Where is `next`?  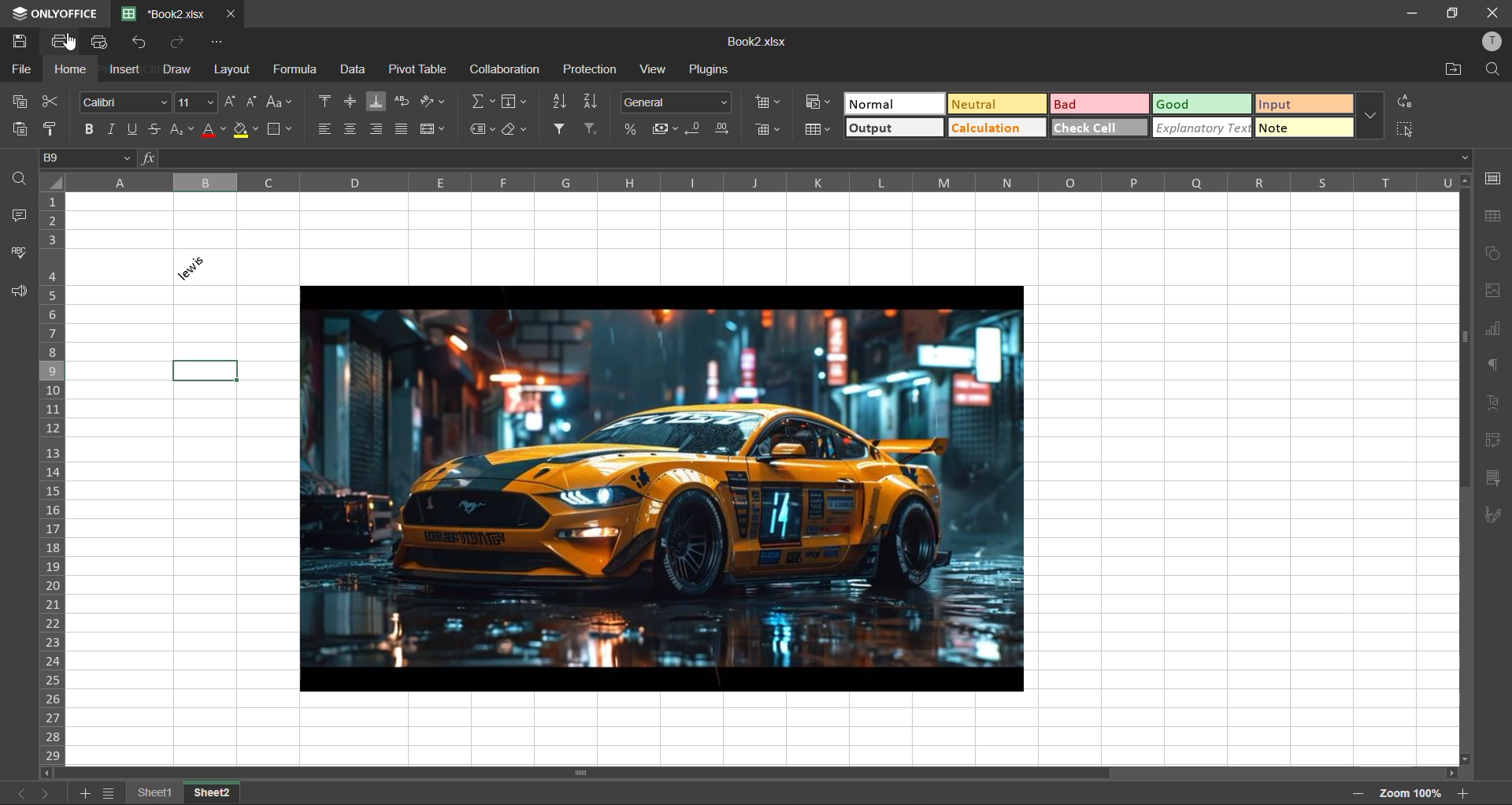 next is located at coordinates (46, 793).